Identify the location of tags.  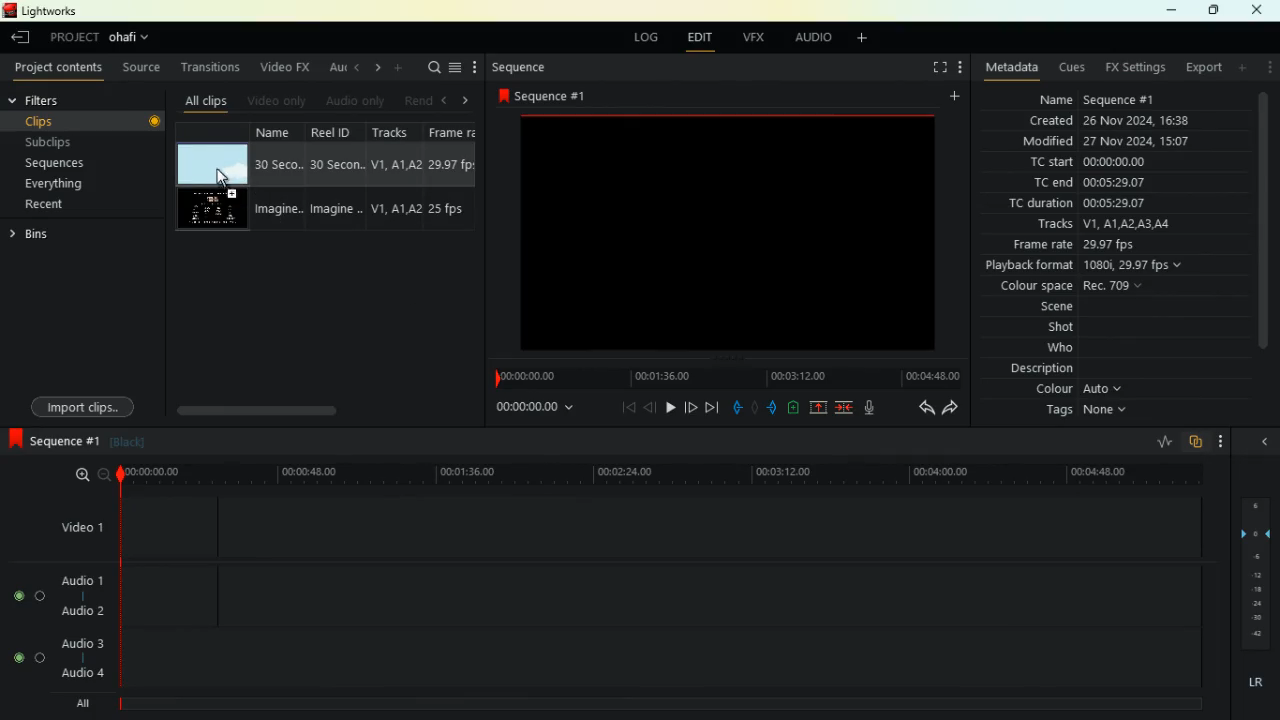
(1081, 413).